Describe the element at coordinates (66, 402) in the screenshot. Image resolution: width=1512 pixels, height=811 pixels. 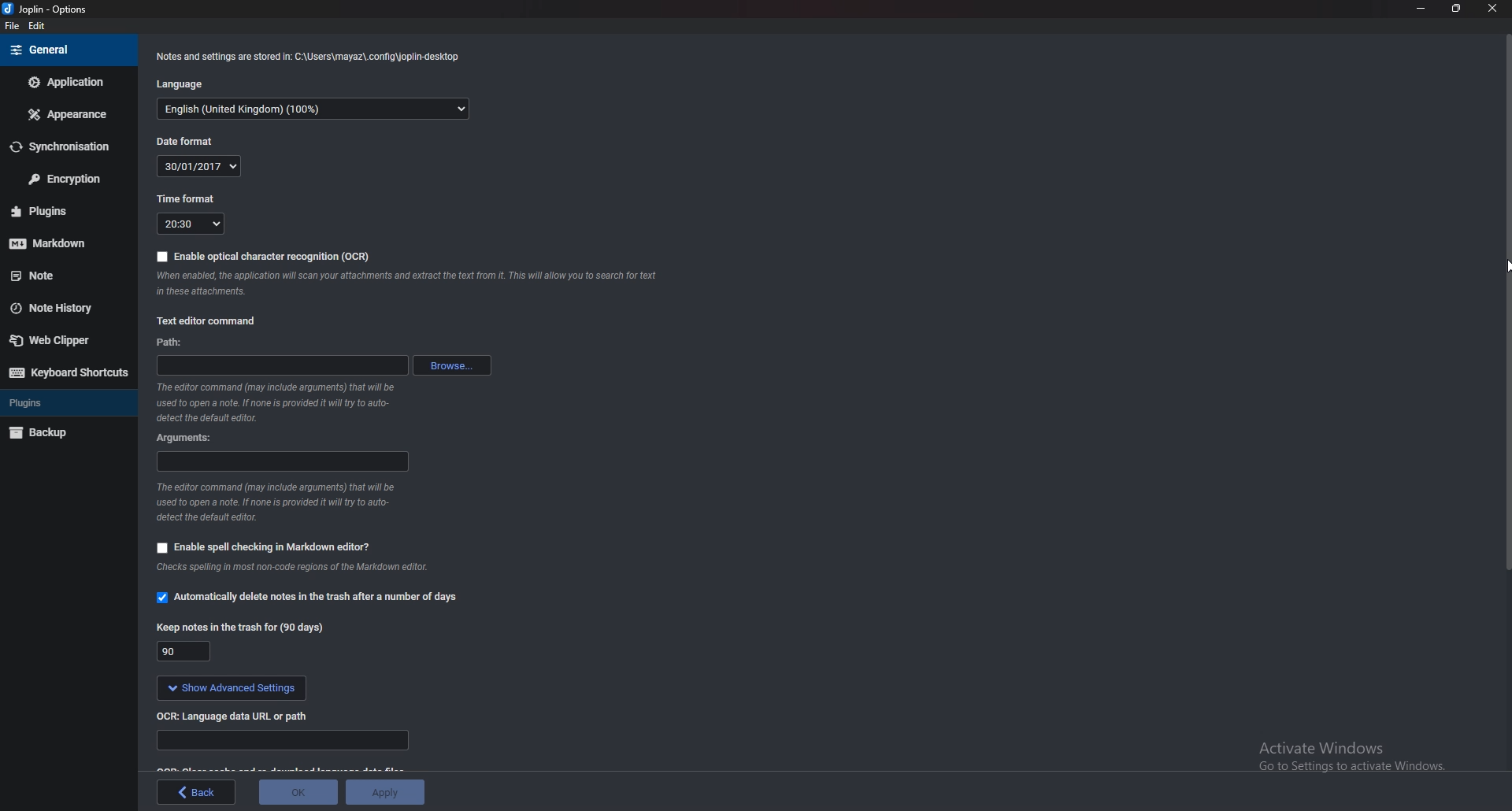
I see `Plugins` at that location.